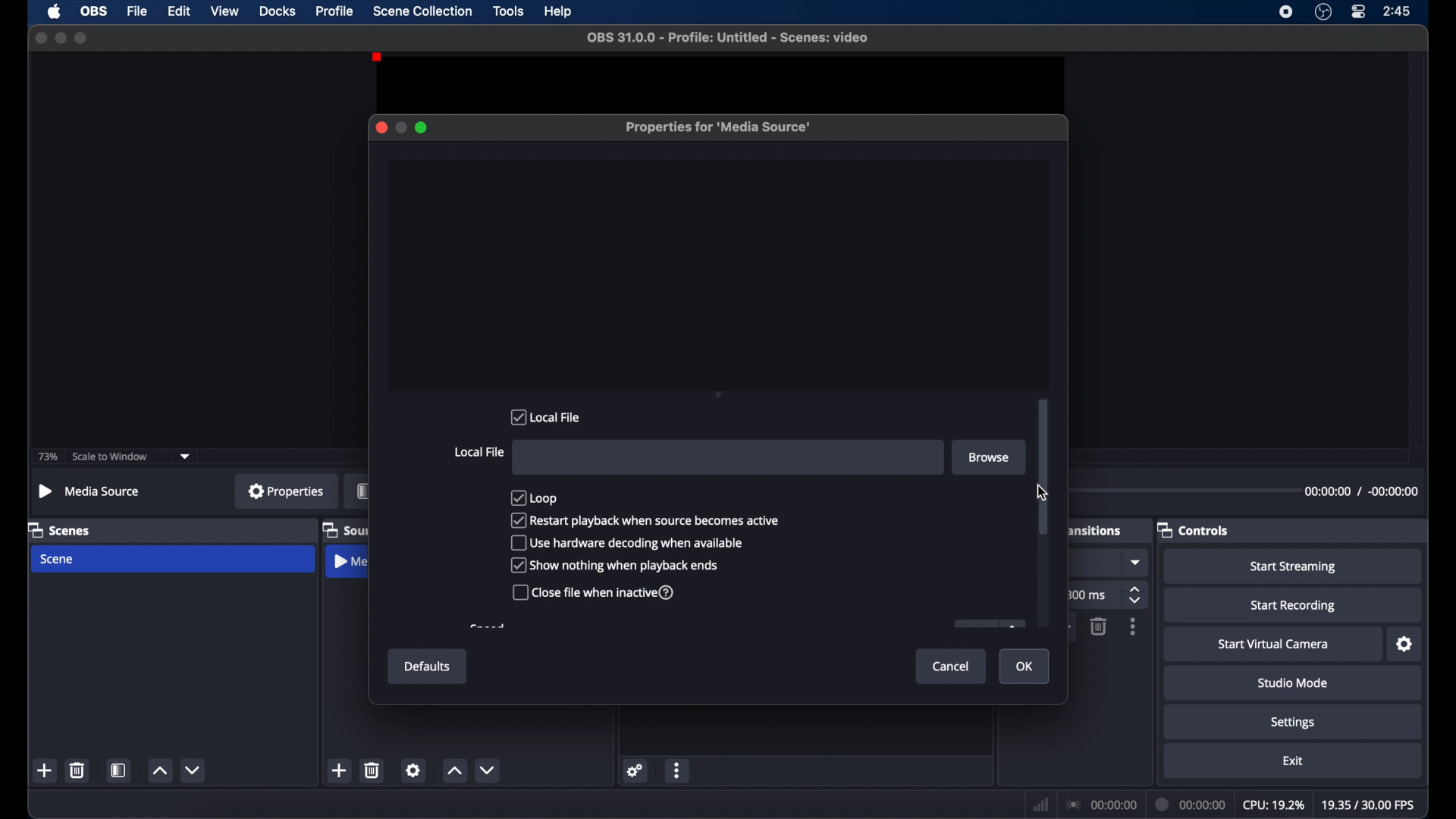 This screenshot has height=819, width=1456. I want to click on settings, so click(413, 770).